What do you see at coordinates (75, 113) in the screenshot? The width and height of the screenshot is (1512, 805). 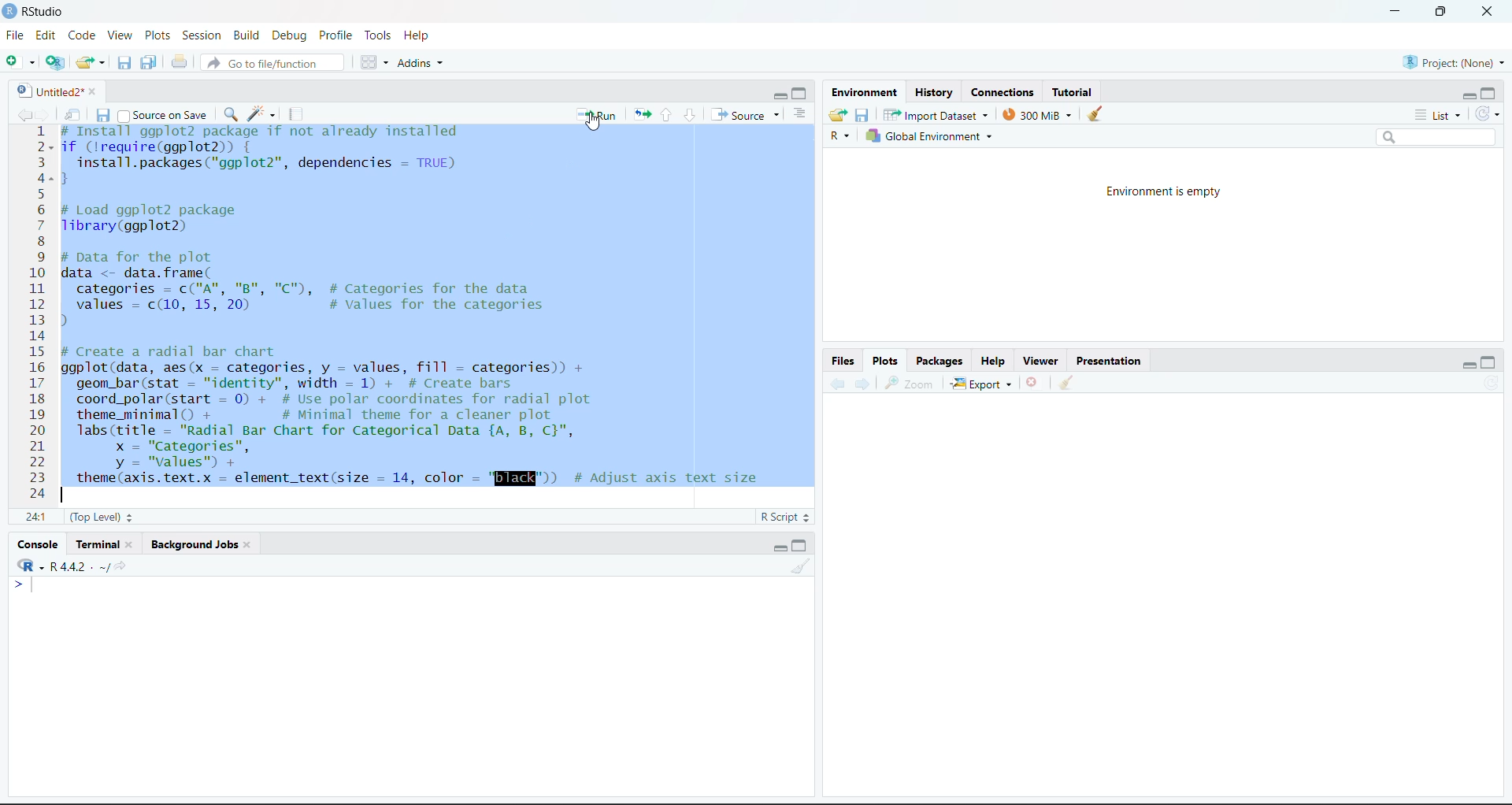 I see `show in new window` at bounding box center [75, 113].